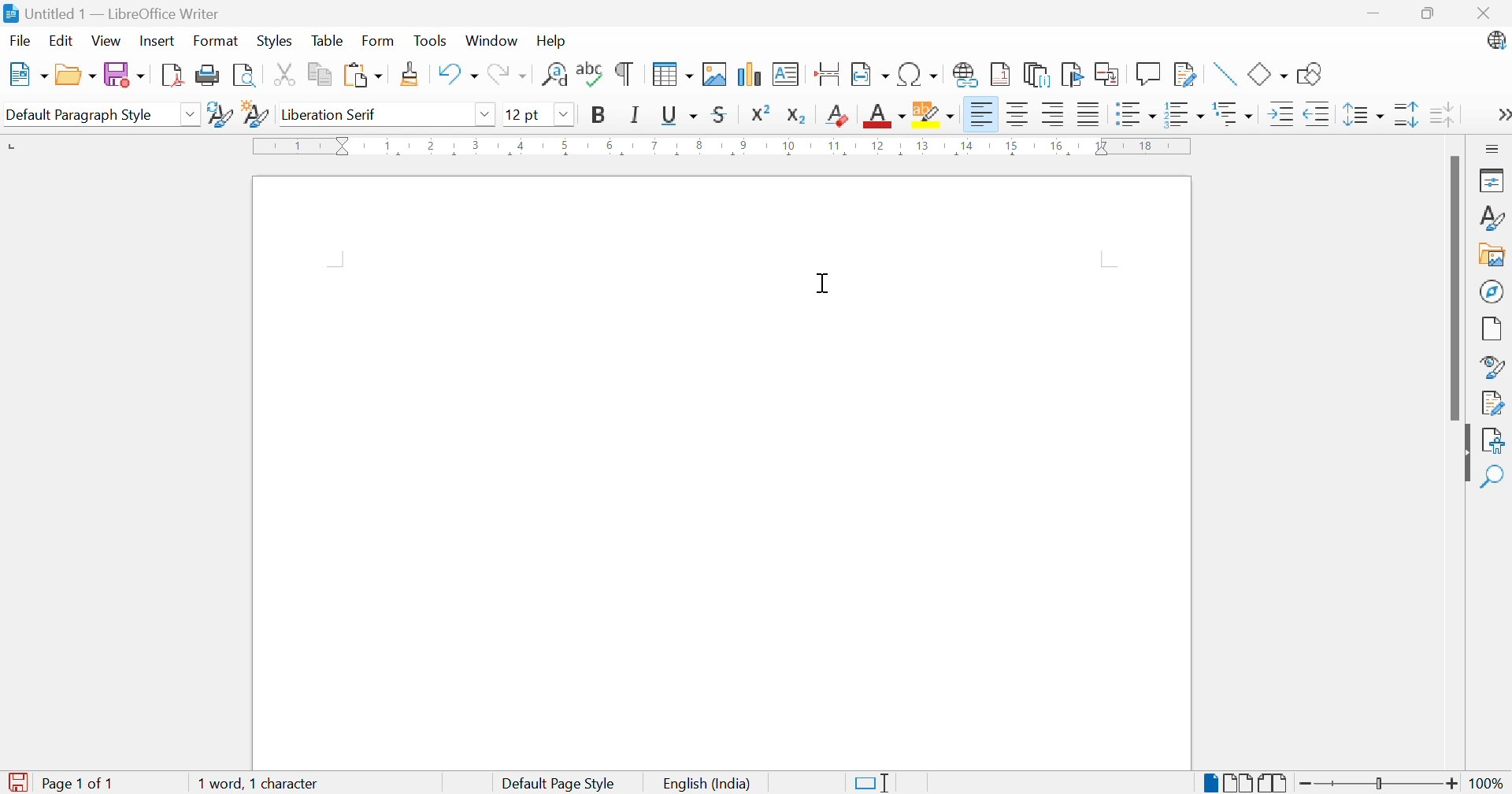 The width and height of the screenshot is (1512, 794). What do you see at coordinates (673, 76) in the screenshot?
I see `Insert Table` at bounding box center [673, 76].